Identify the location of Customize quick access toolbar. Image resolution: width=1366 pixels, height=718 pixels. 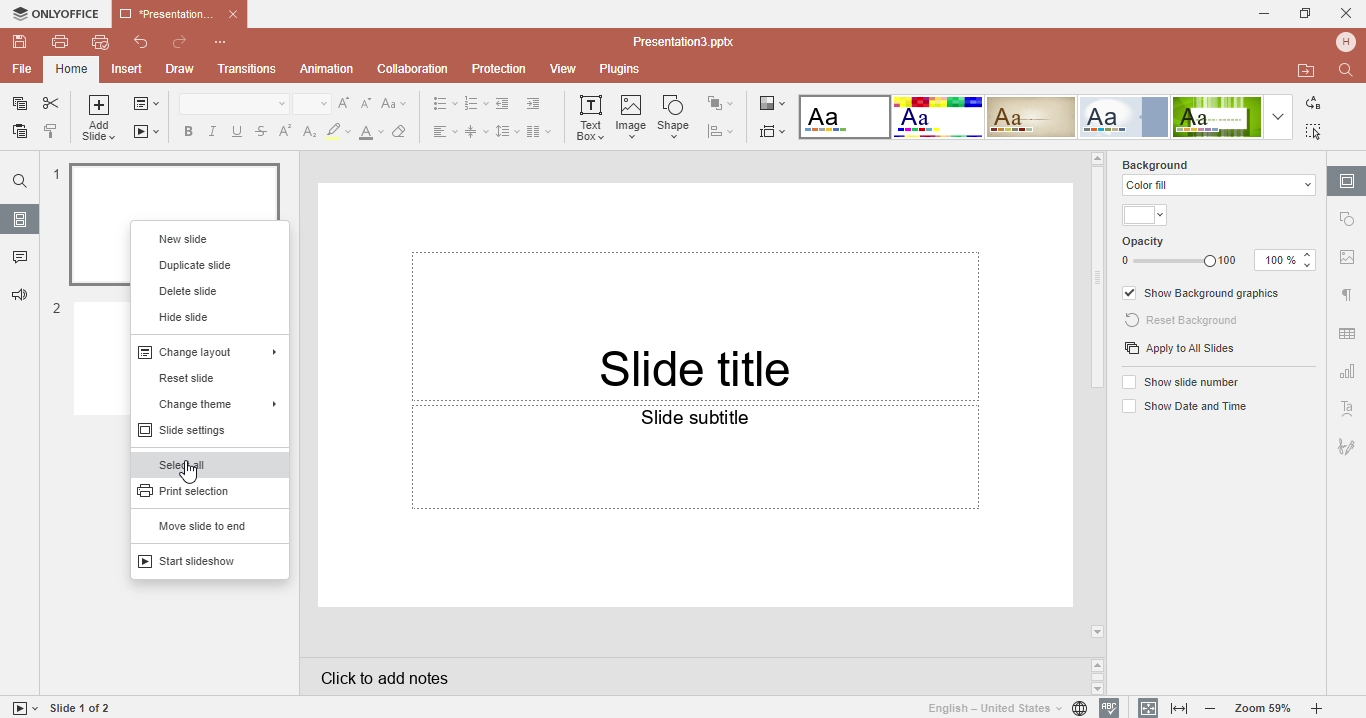
(231, 42).